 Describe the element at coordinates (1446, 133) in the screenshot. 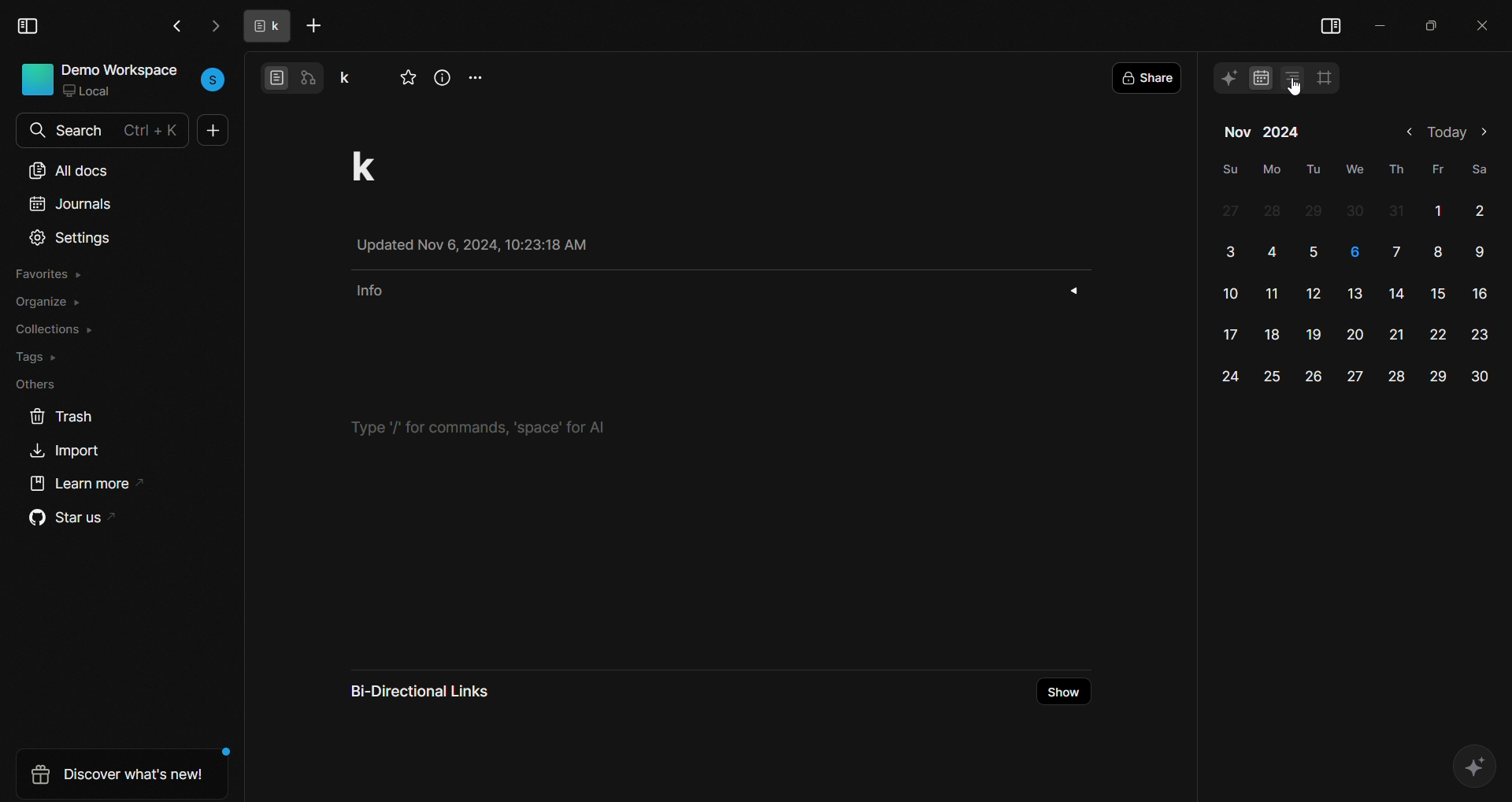

I see `Today` at that location.